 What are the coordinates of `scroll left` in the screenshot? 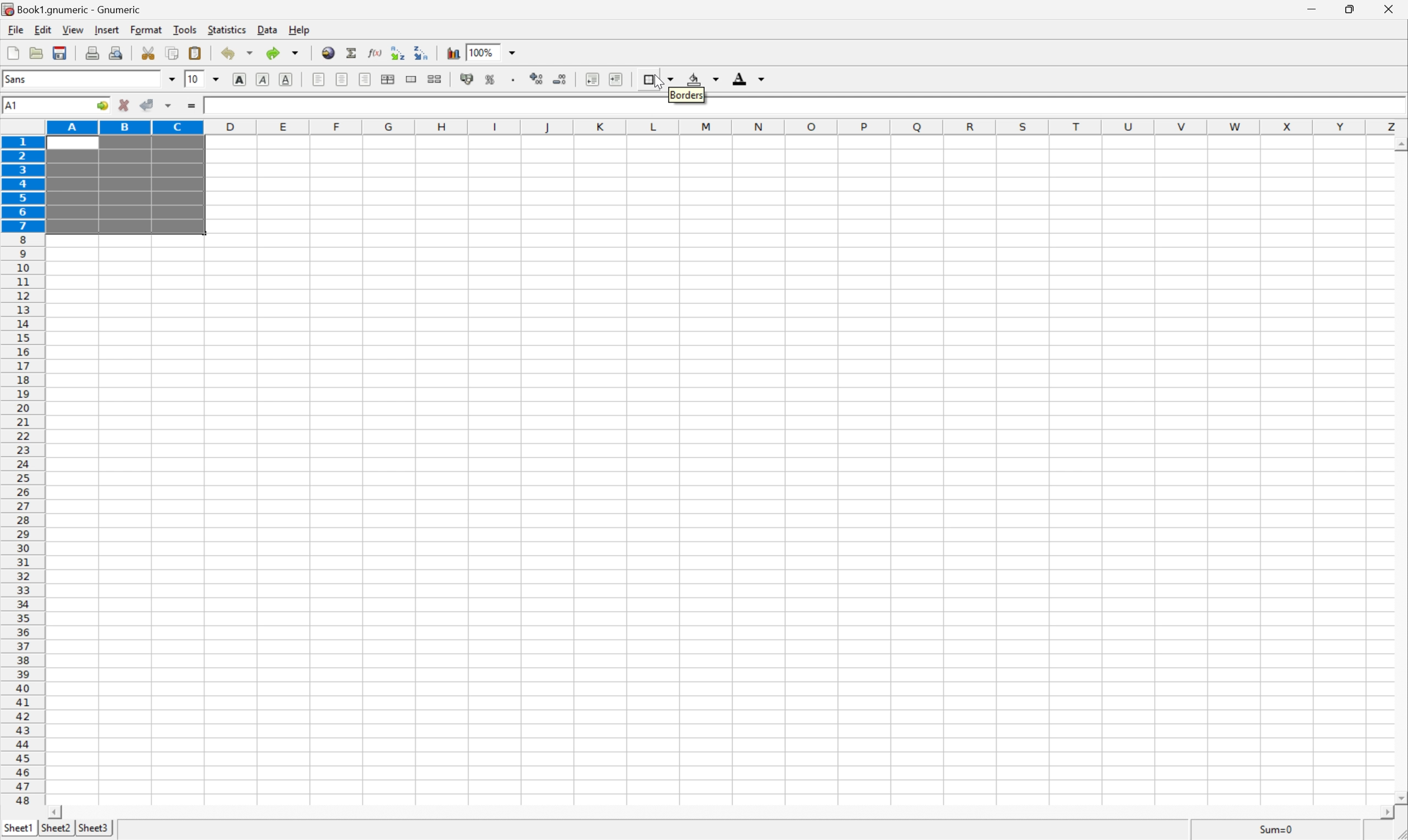 It's located at (57, 812).